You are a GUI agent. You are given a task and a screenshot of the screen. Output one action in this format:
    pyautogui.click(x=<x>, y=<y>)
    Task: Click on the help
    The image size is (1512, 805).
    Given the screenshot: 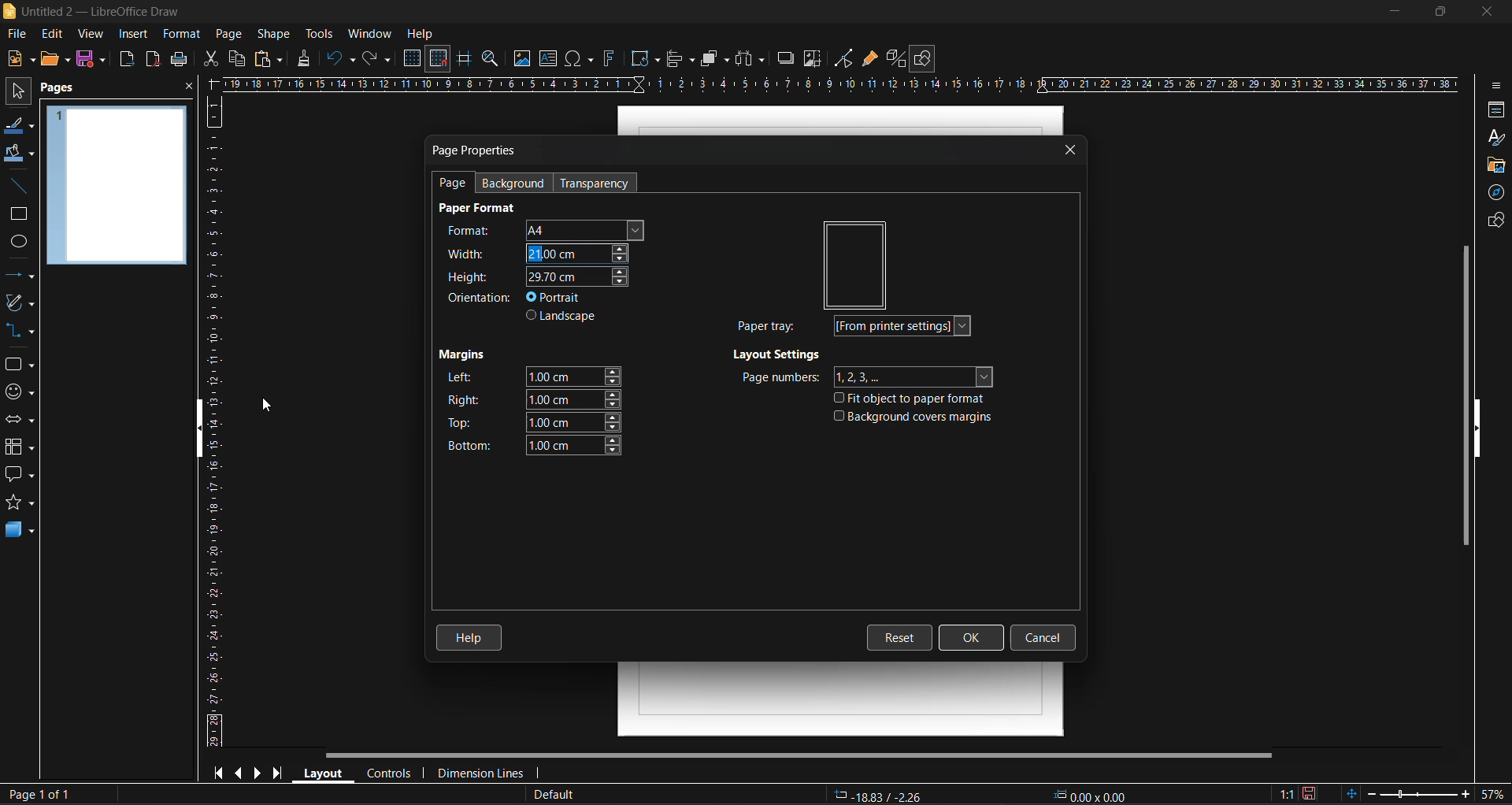 What is the action you would take?
    pyautogui.click(x=421, y=33)
    